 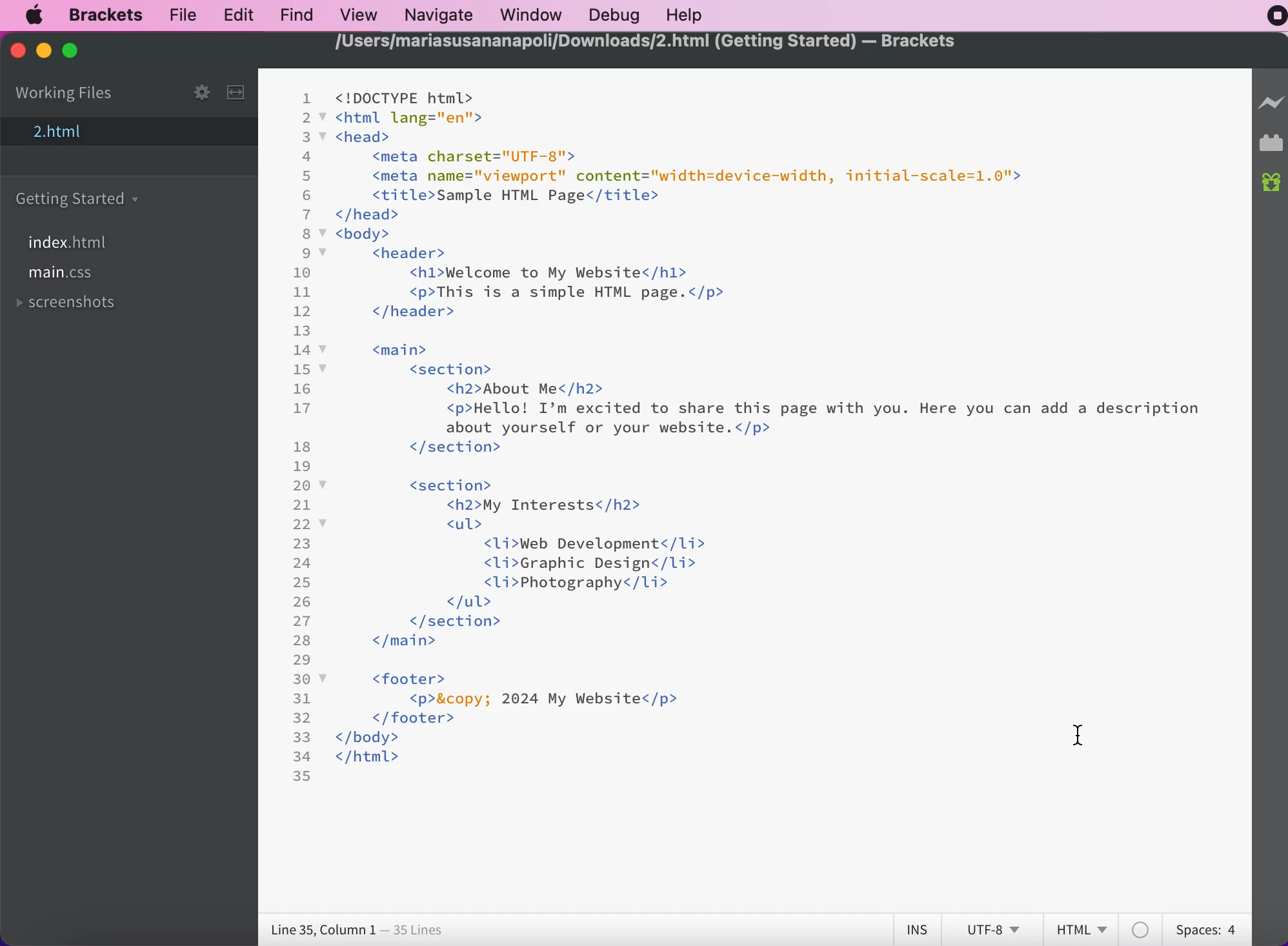 I want to click on line 35, Column 1 - 35 lines, so click(x=363, y=929).